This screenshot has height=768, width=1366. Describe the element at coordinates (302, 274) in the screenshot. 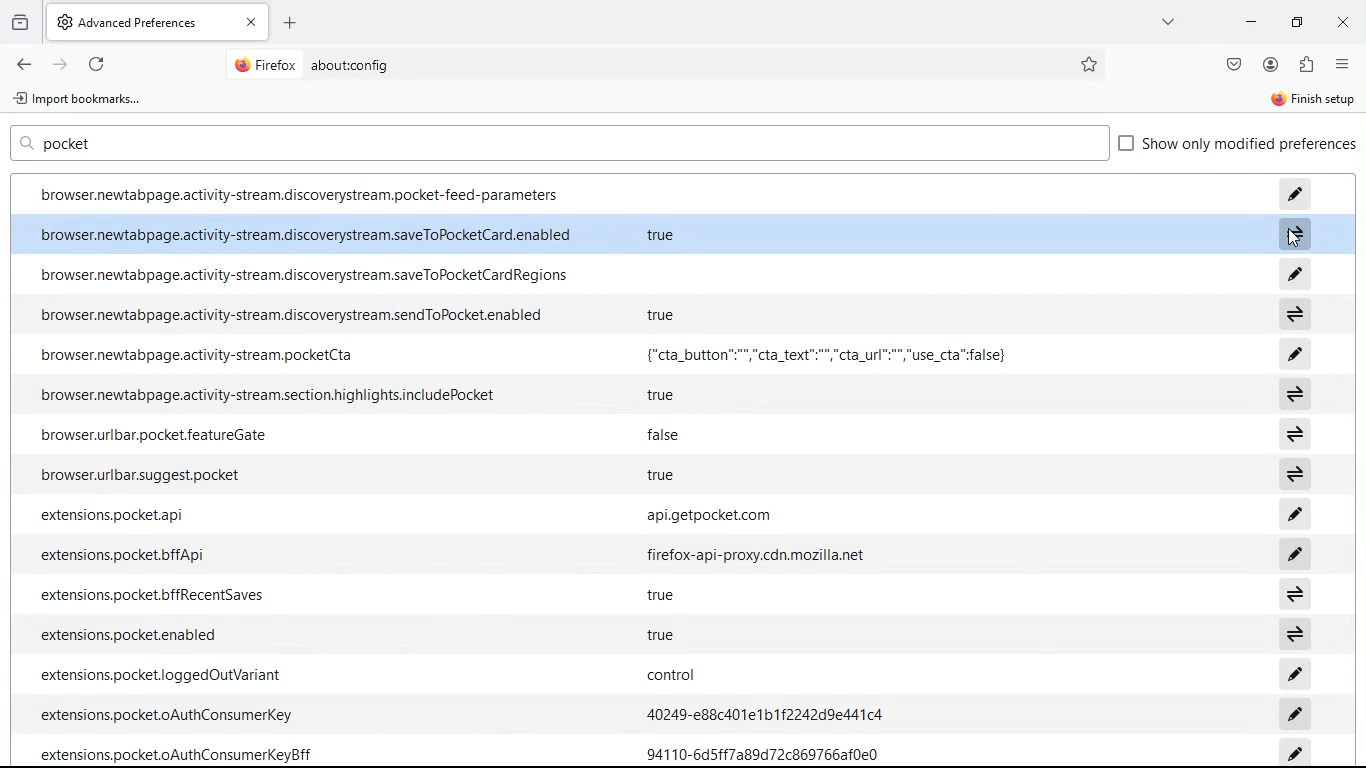

I see `browser.newtabpage.activity-stream.discoverystream.saveToPocketCardRegions` at that location.